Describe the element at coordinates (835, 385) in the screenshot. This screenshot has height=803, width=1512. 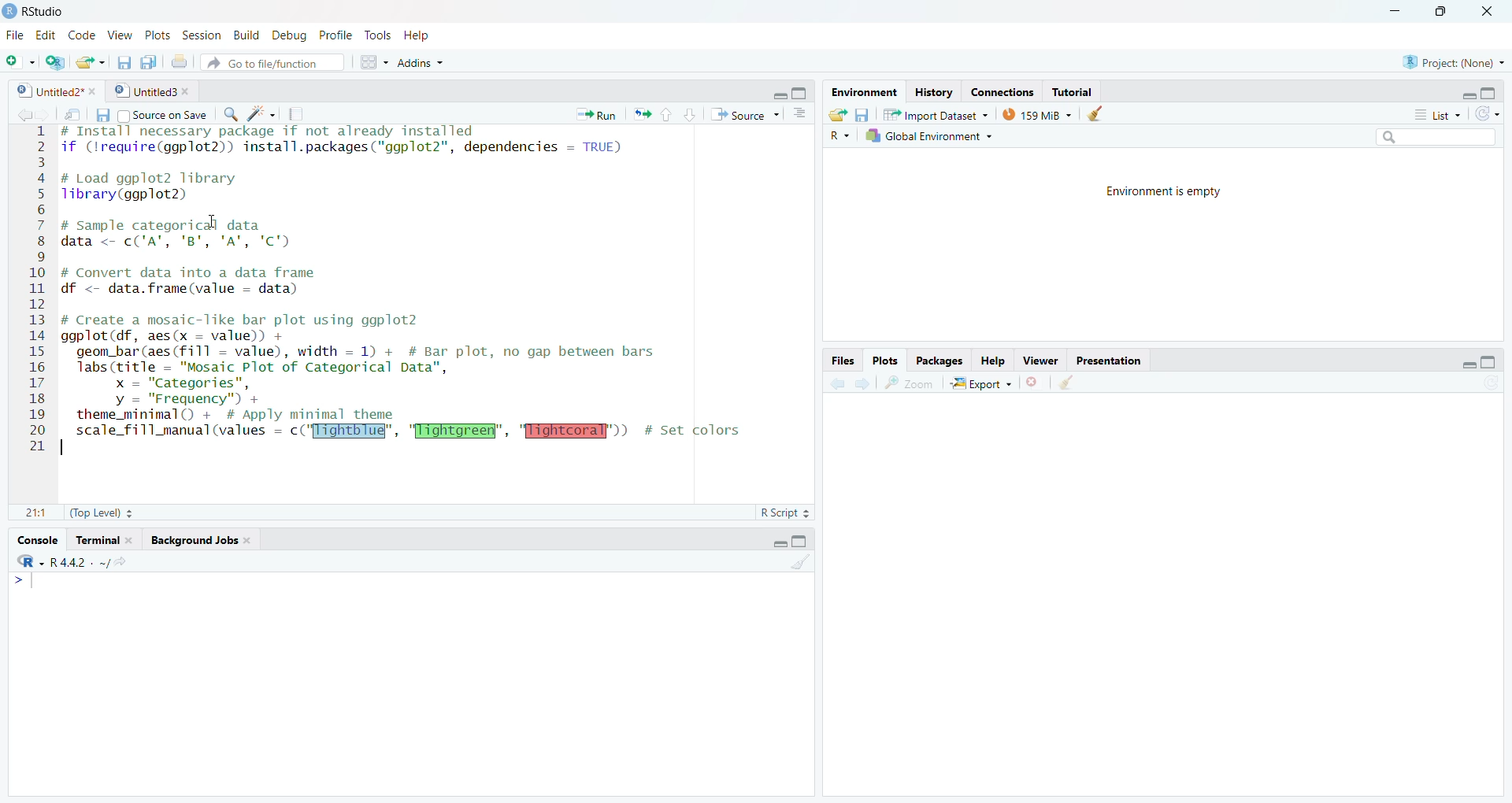
I see `Previous` at that location.